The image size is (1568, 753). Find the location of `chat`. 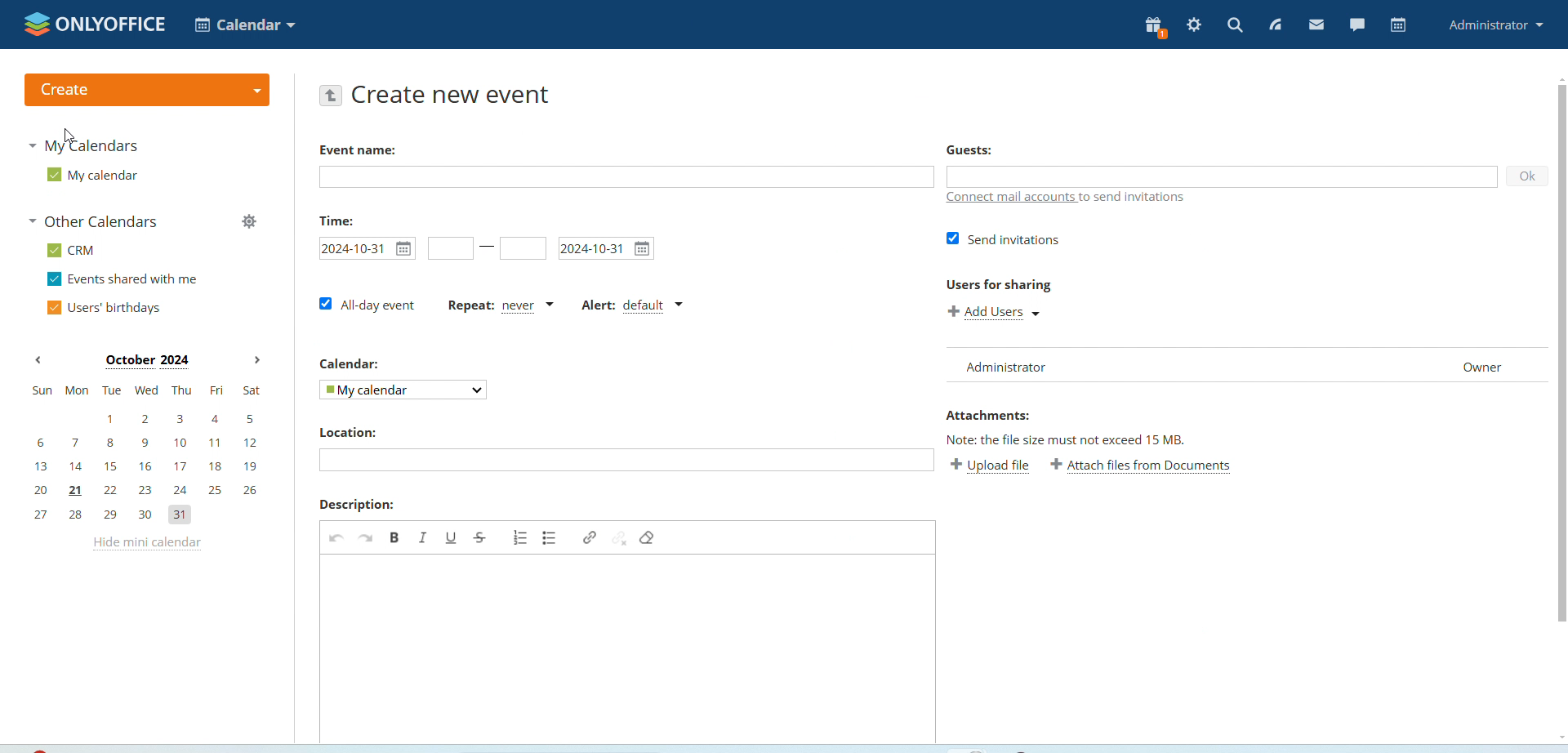

chat is located at coordinates (1359, 23).